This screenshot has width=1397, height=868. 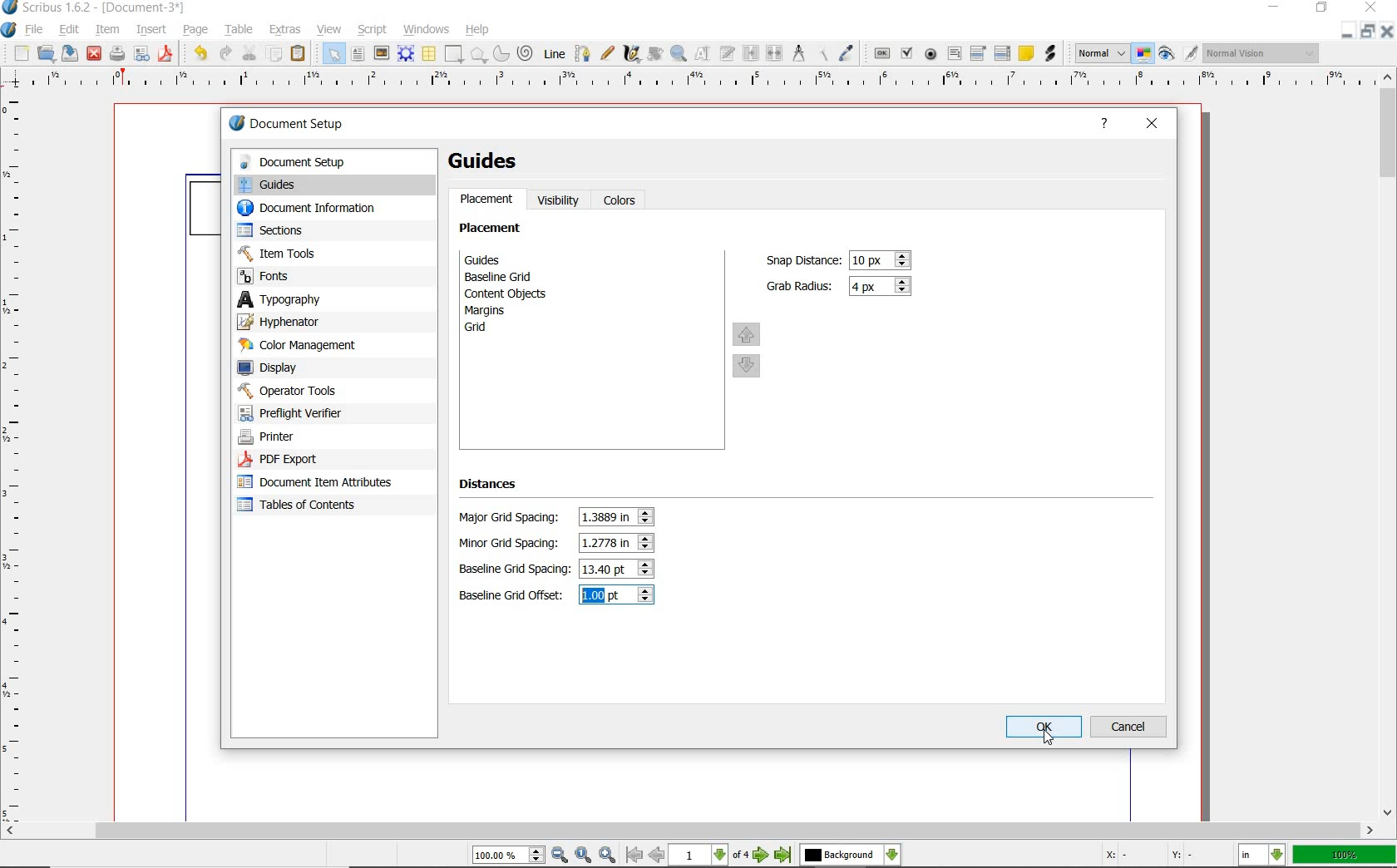 What do you see at coordinates (151, 28) in the screenshot?
I see `insert` at bounding box center [151, 28].